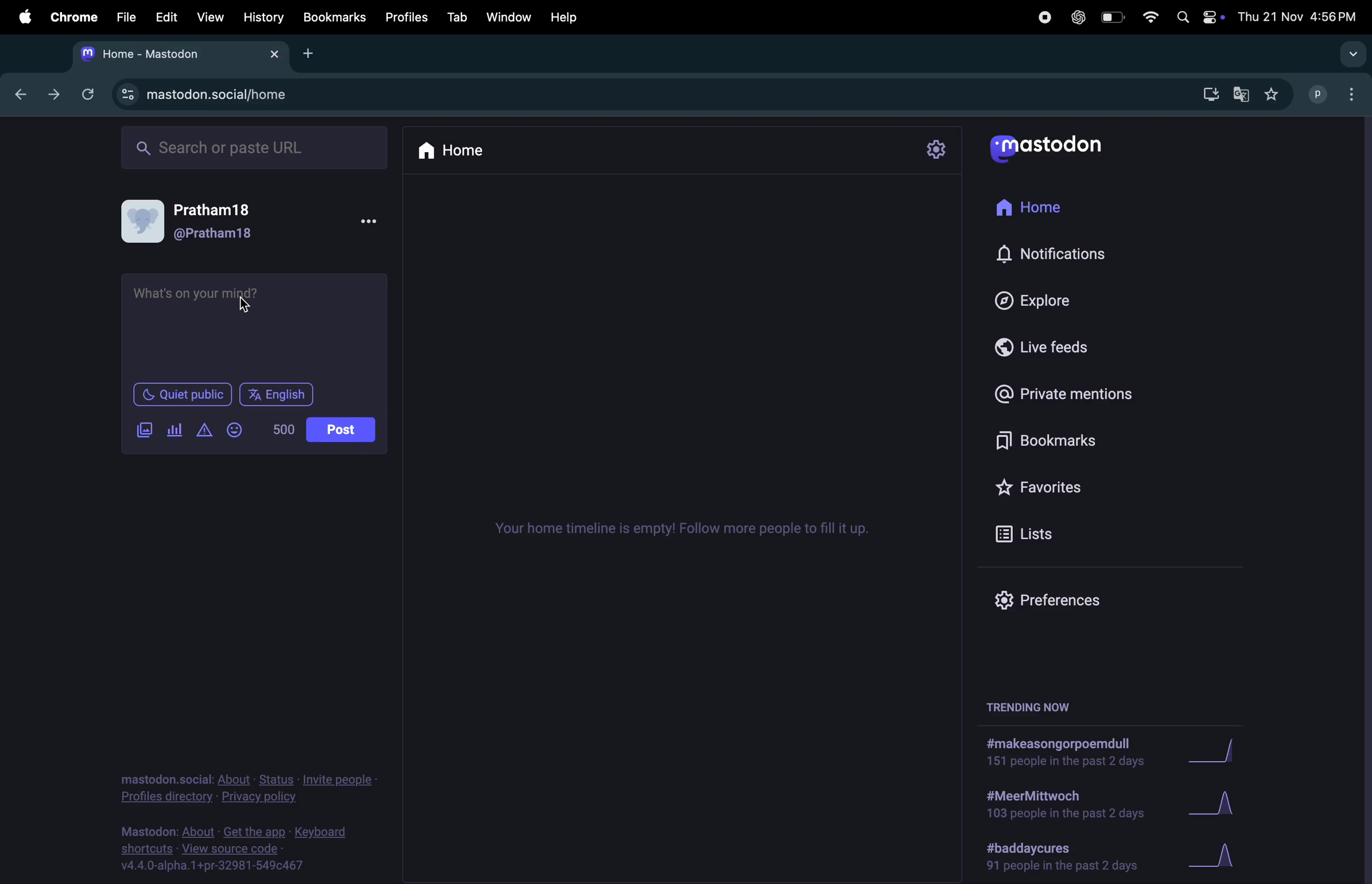  What do you see at coordinates (1181, 18) in the screenshot?
I see `spotlight search` at bounding box center [1181, 18].